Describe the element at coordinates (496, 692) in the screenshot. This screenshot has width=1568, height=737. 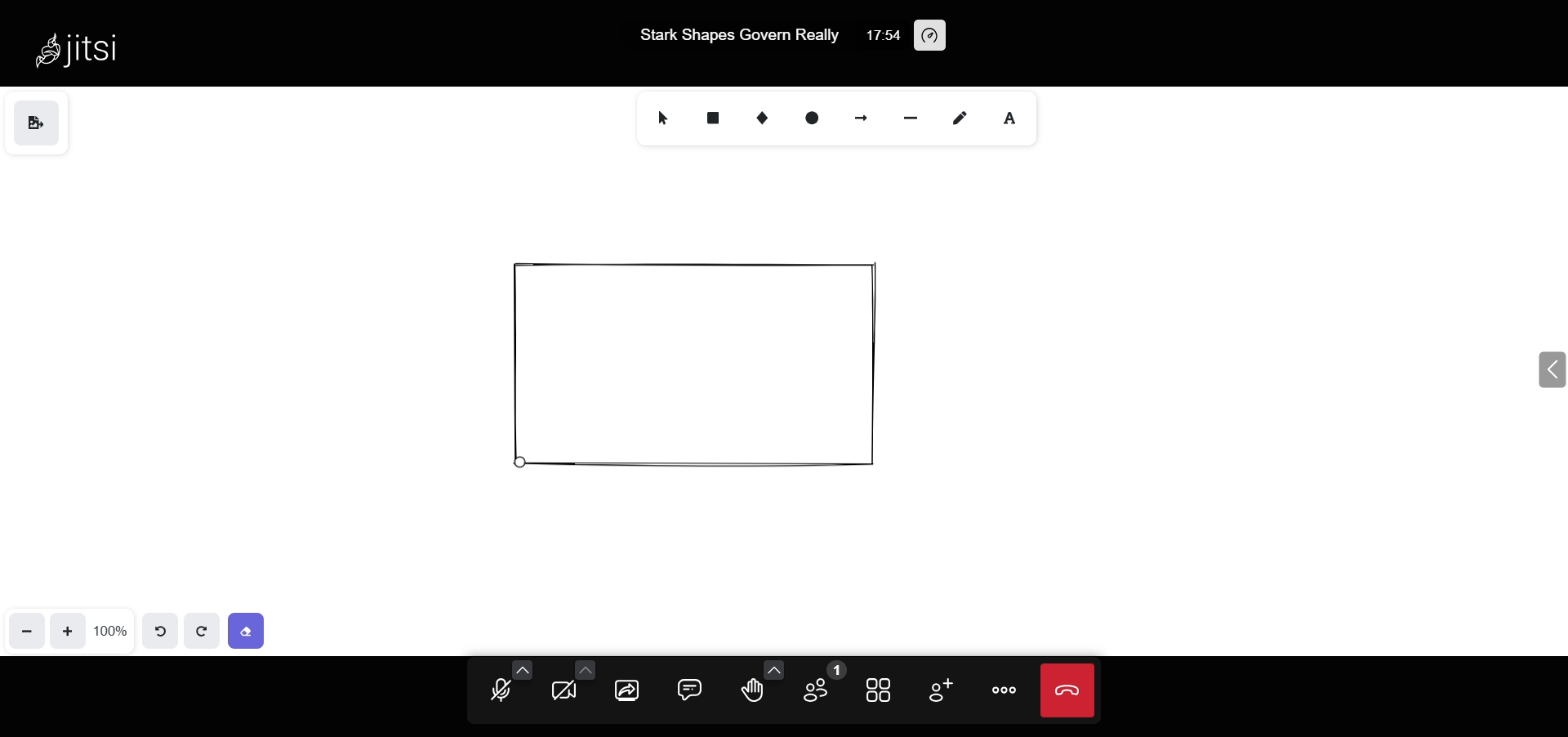
I see `microphone` at that location.